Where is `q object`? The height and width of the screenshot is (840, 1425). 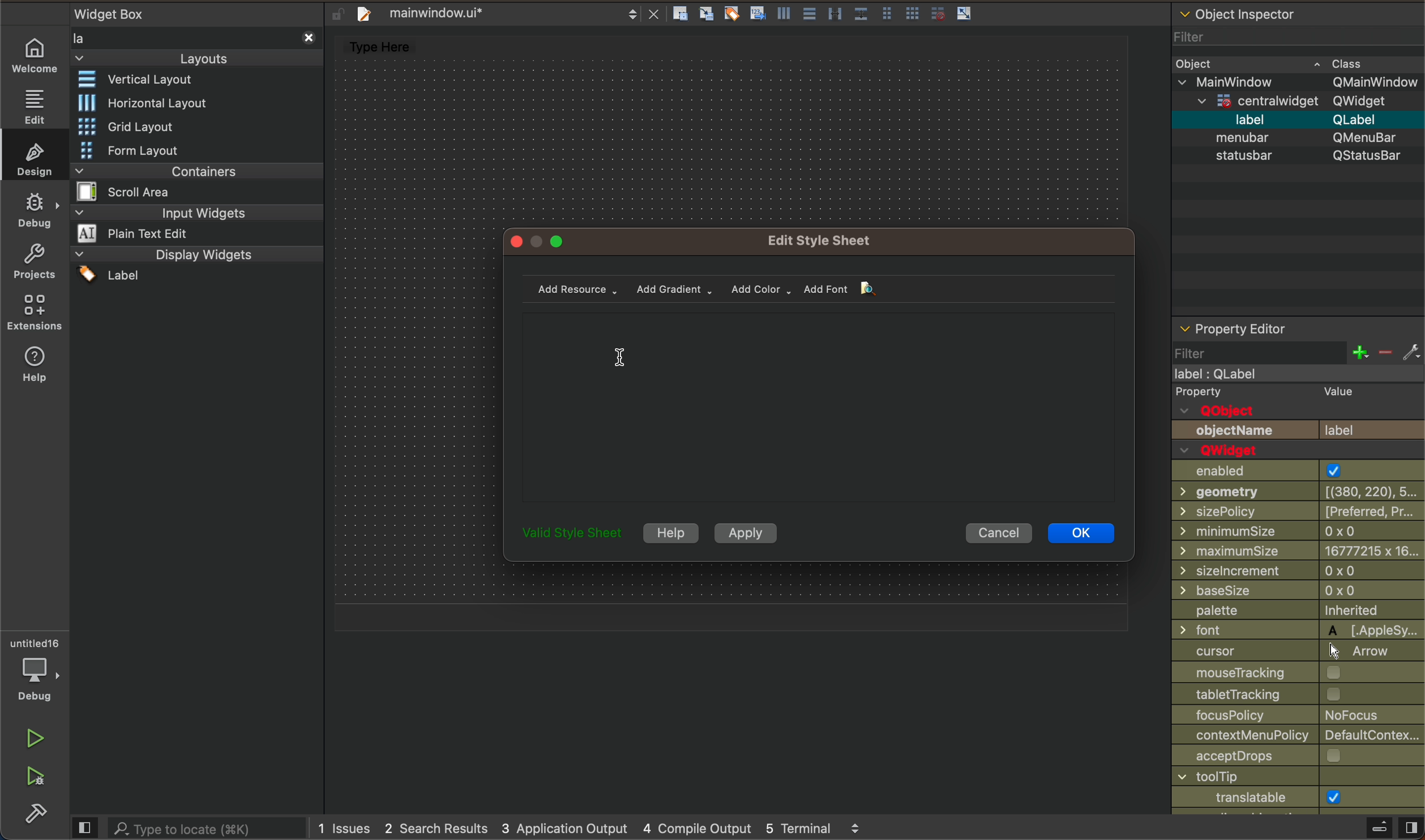
q object is located at coordinates (1244, 412).